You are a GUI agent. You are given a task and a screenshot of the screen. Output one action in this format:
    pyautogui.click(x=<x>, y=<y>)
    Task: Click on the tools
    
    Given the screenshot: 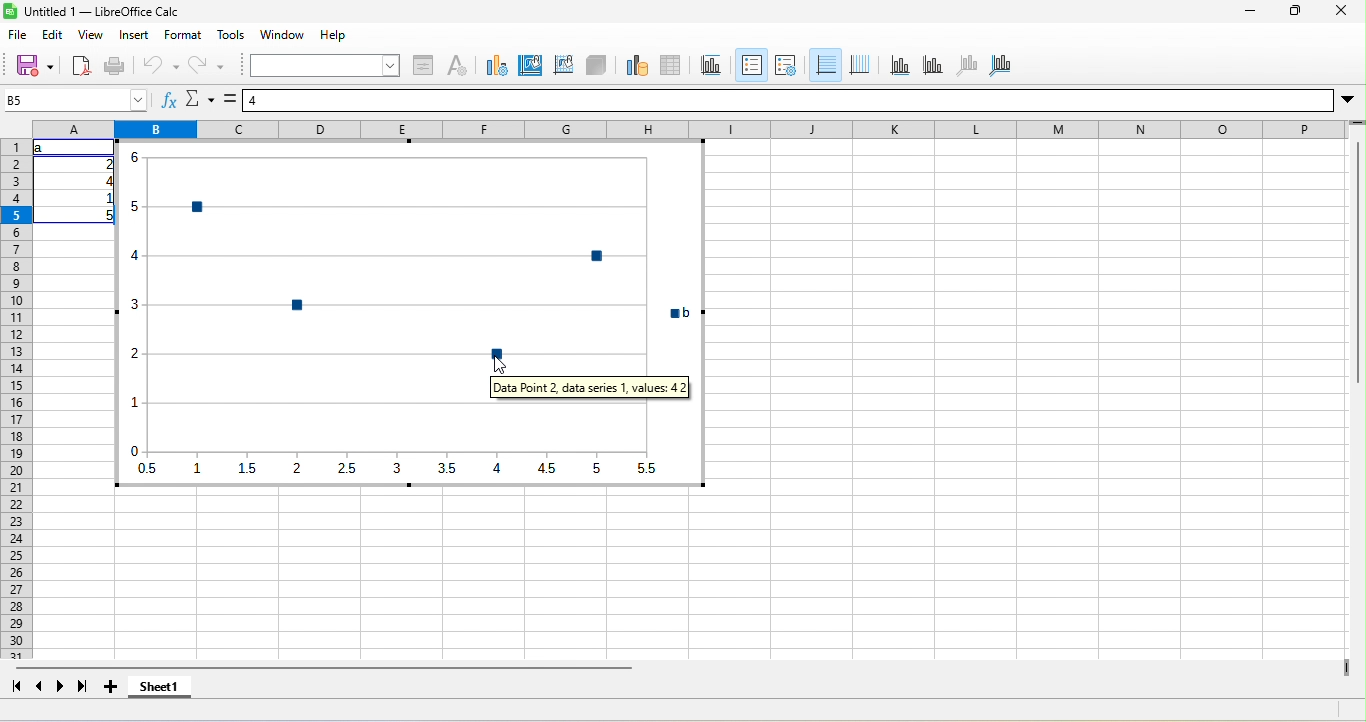 What is the action you would take?
    pyautogui.click(x=231, y=35)
    